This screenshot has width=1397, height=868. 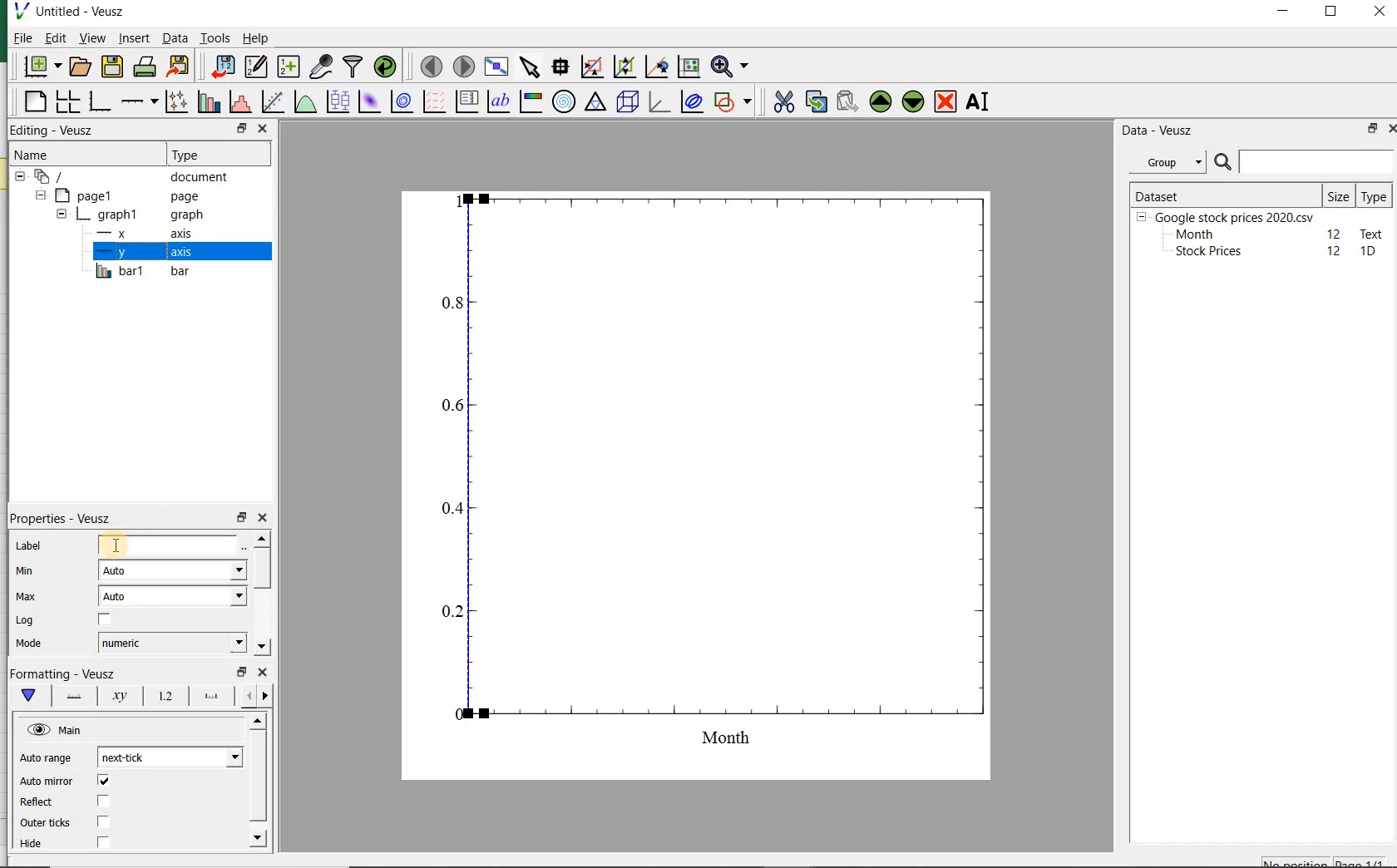 What do you see at coordinates (687, 67) in the screenshot?
I see `click to reset graph axes` at bounding box center [687, 67].